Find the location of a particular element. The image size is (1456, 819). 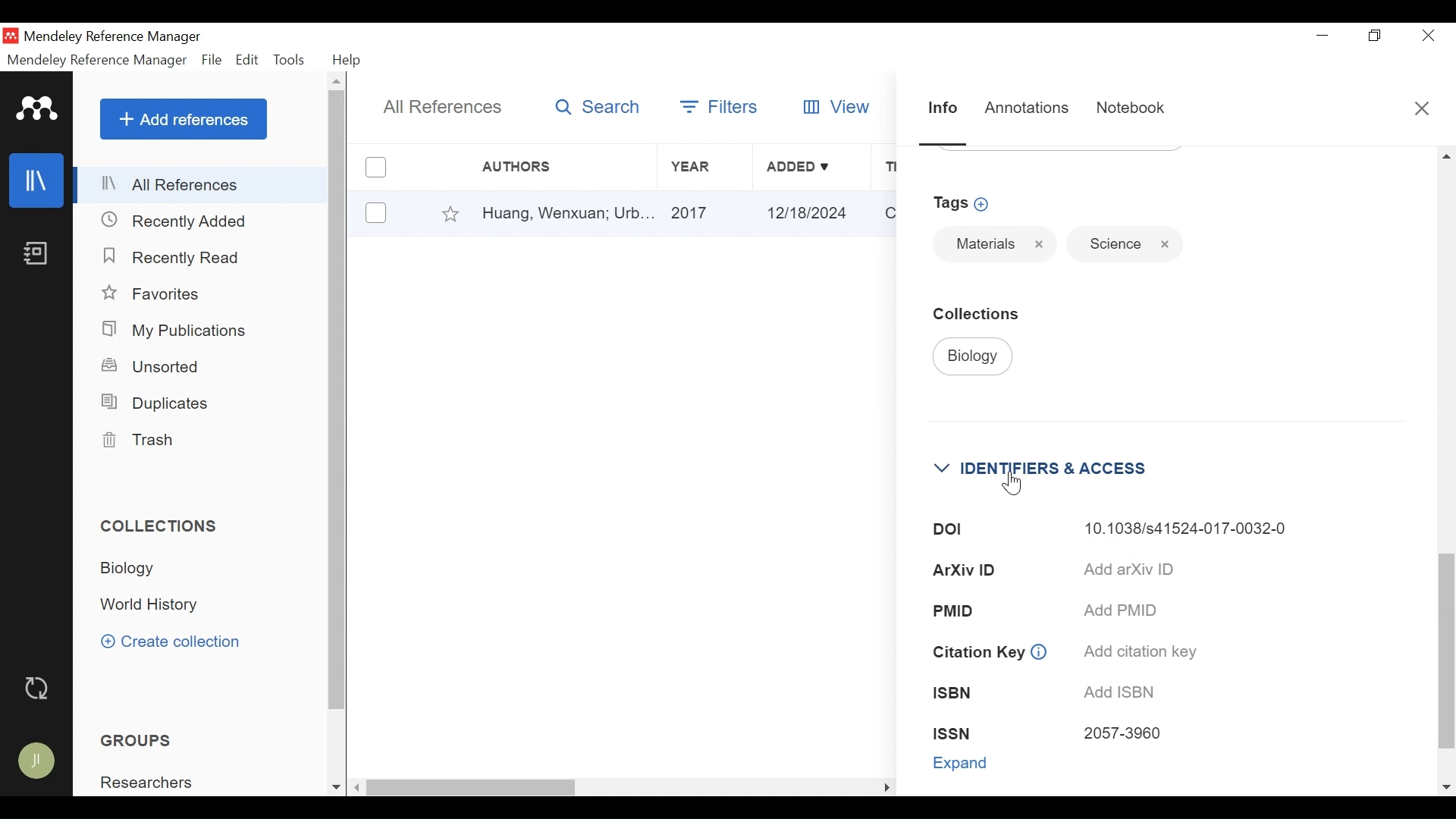

Identifiers & Access is located at coordinates (1052, 468).